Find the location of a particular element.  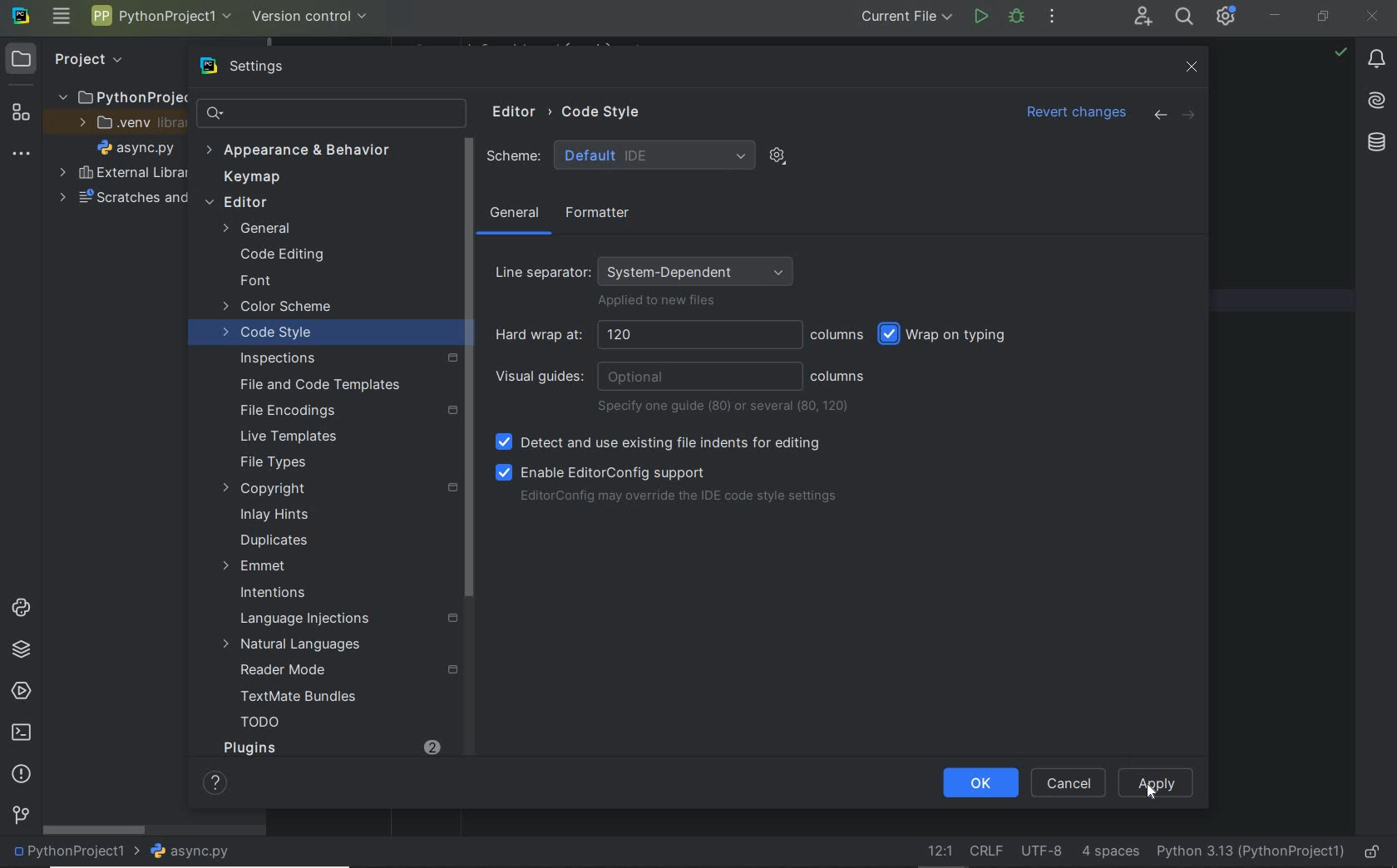

duplicates is located at coordinates (275, 540).